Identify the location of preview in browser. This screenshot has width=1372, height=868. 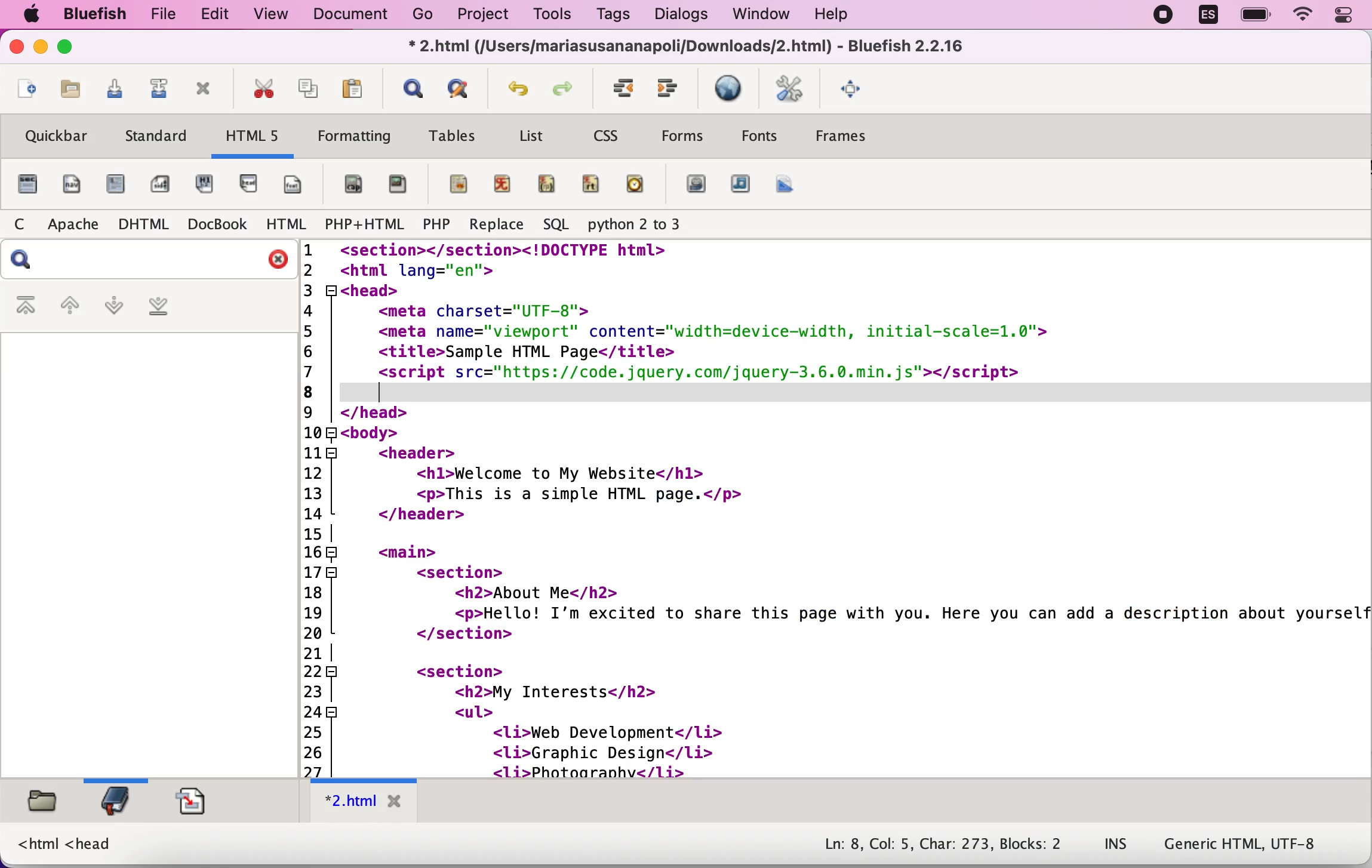
(730, 90).